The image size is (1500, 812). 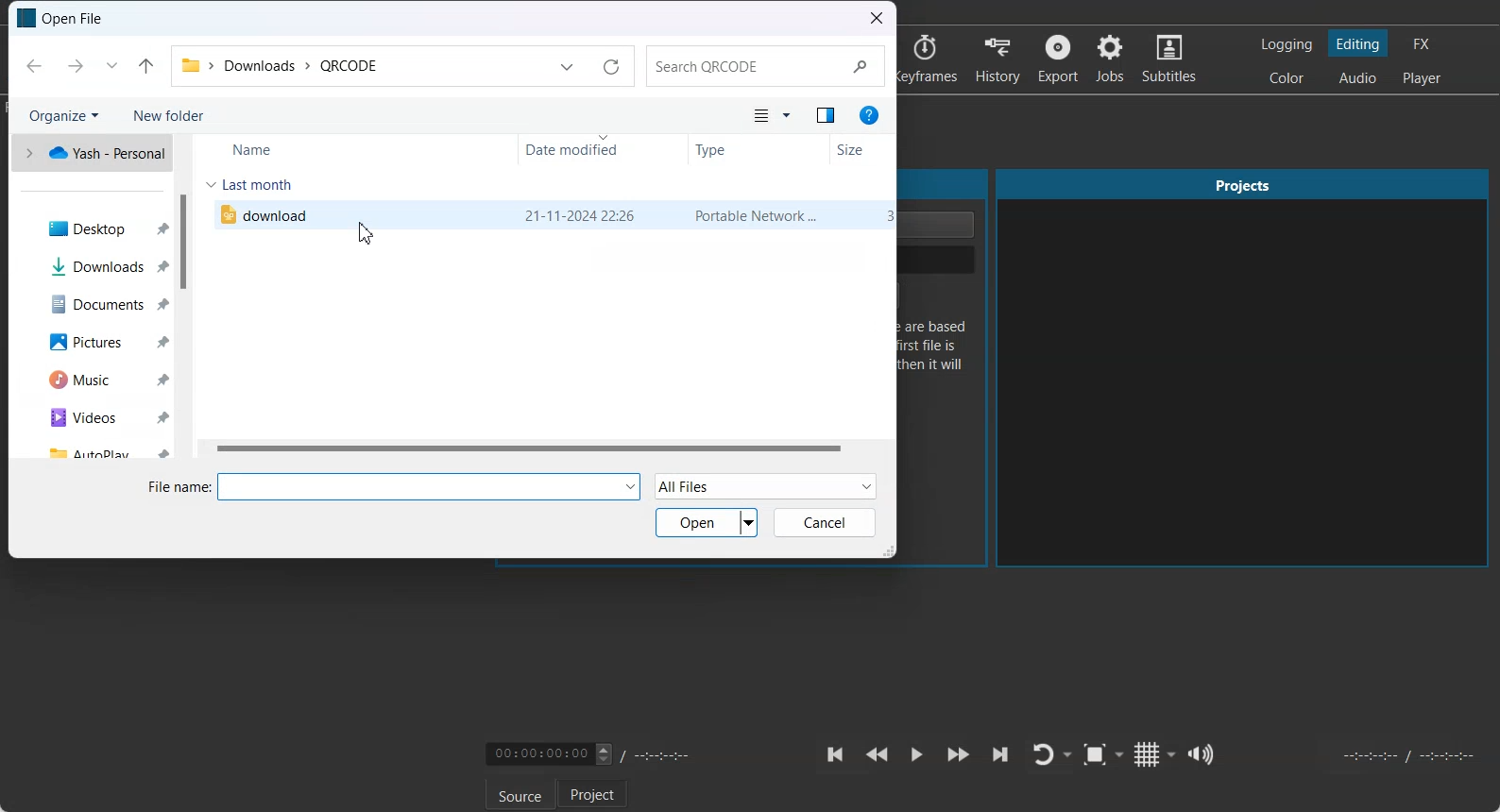 What do you see at coordinates (1069, 755) in the screenshot?
I see `Drop down box` at bounding box center [1069, 755].